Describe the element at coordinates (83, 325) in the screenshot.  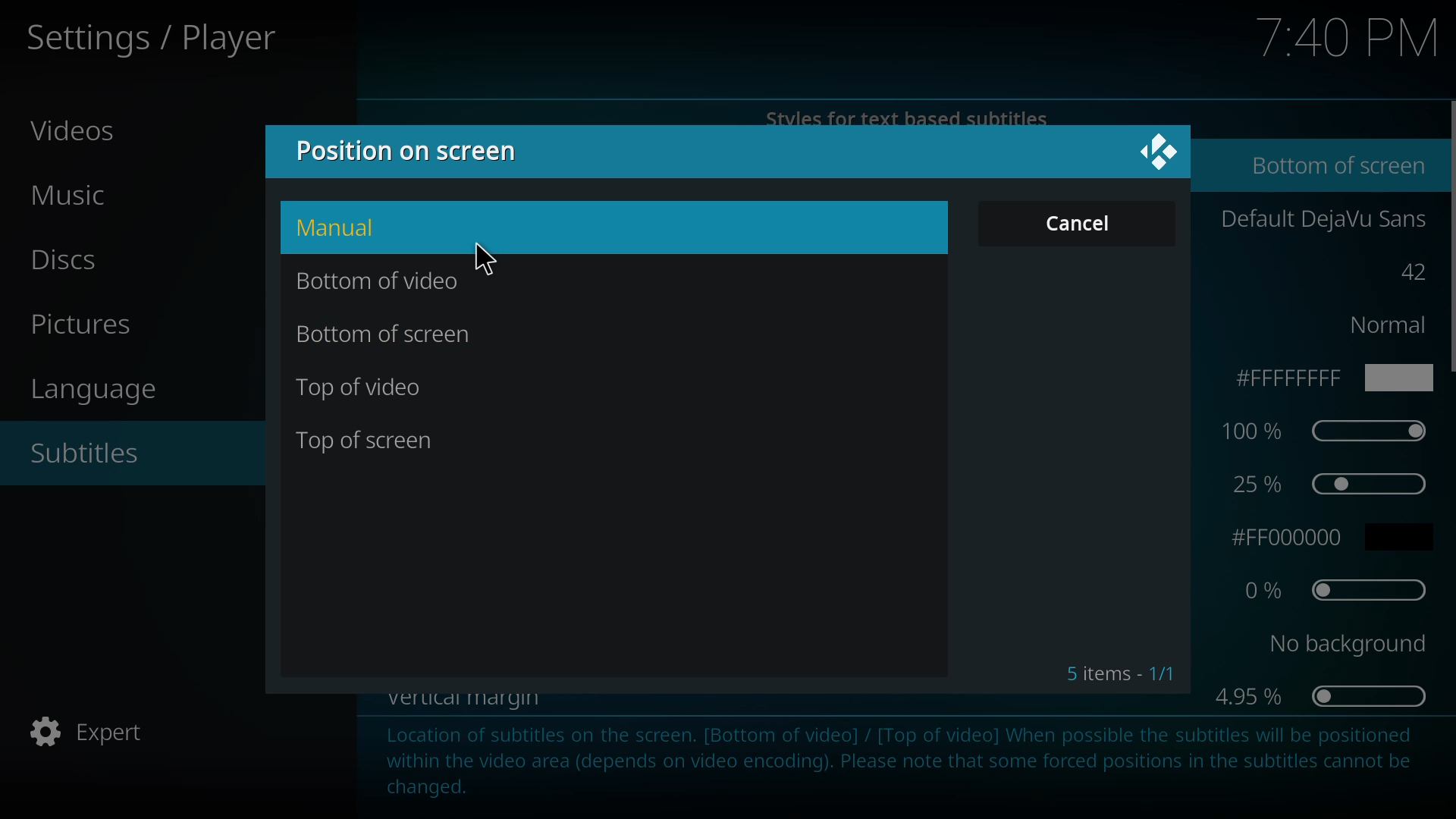
I see `pictures` at that location.